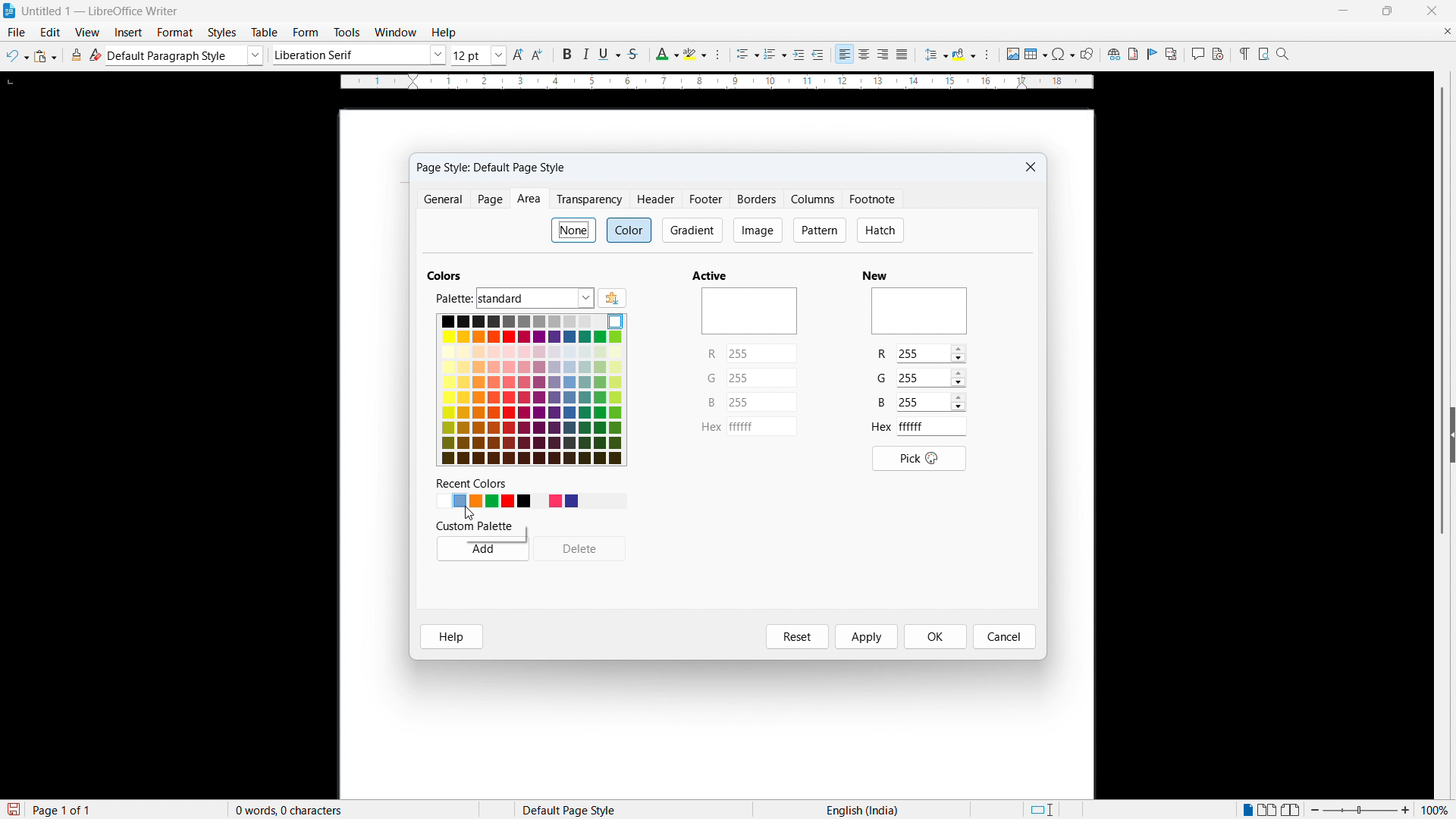 The width and height of the screenshot is (1456, 819). What do you see at coordinates (530, 199) in the screenshot?
I see `Area ` at bounding box center [530, 199].